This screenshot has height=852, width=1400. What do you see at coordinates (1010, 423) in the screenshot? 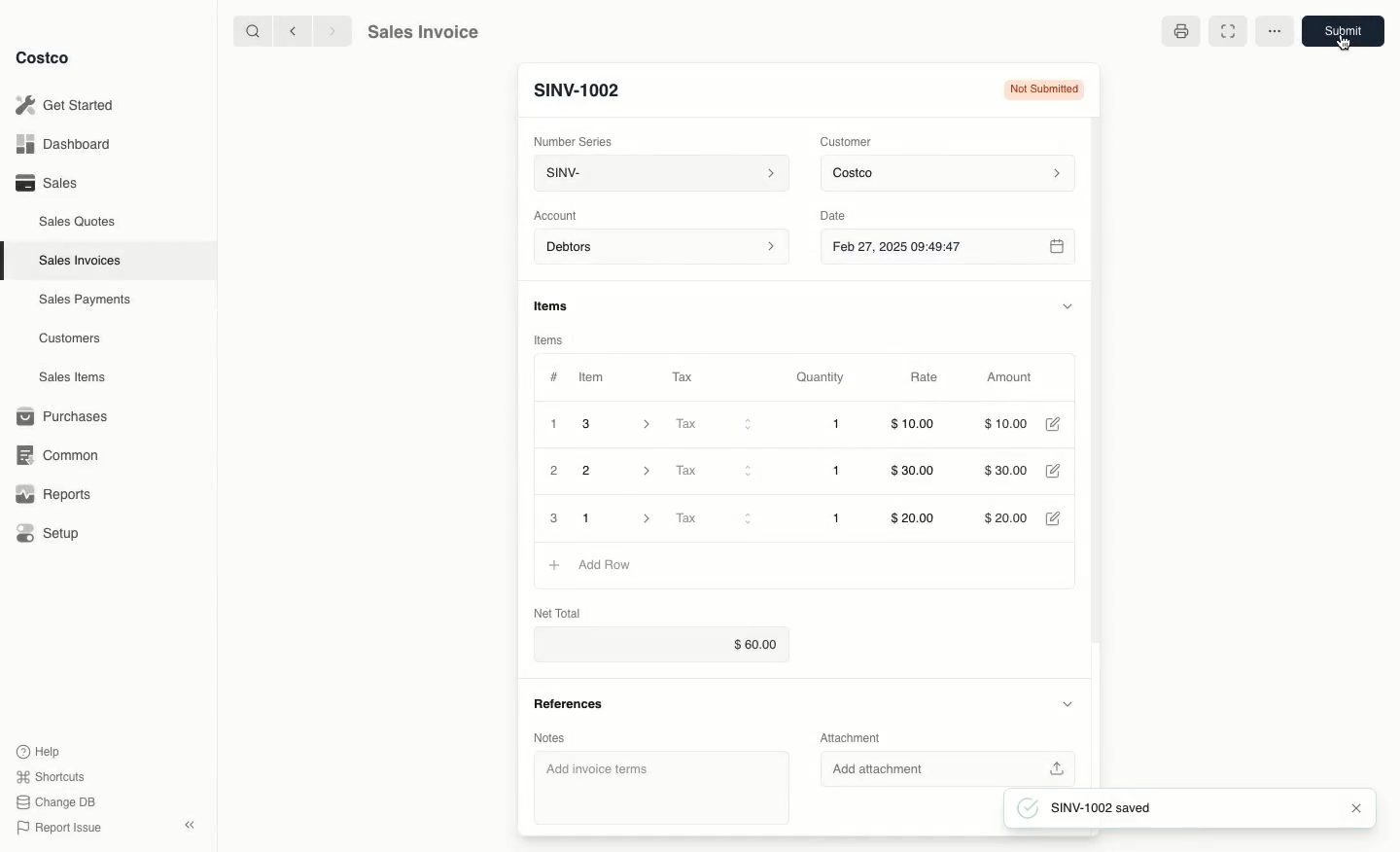
I see `$10.00` at bounding box center [1010, 423].